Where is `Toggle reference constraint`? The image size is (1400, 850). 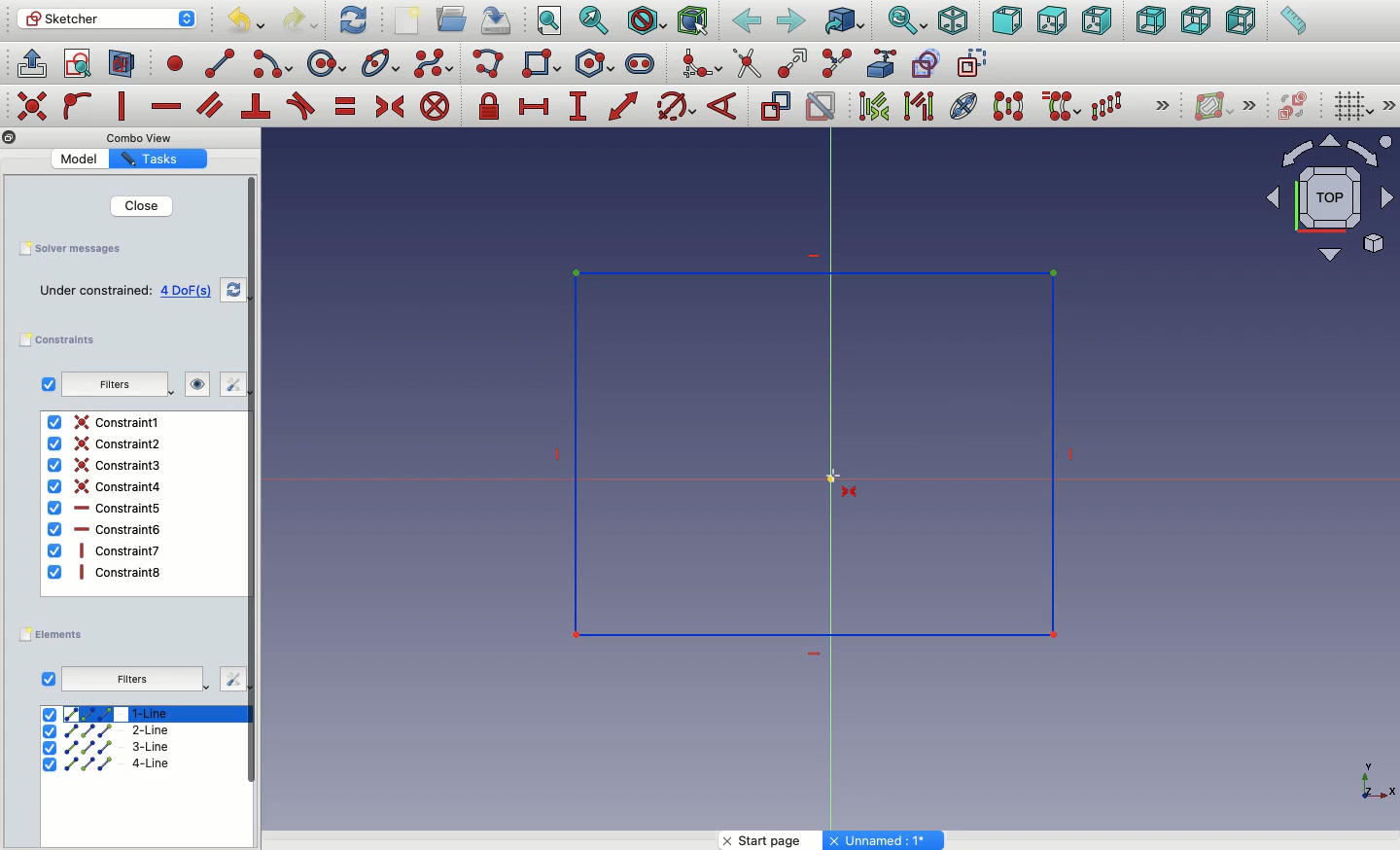
Toggle reference constraint is located at coordinates (775, 105).